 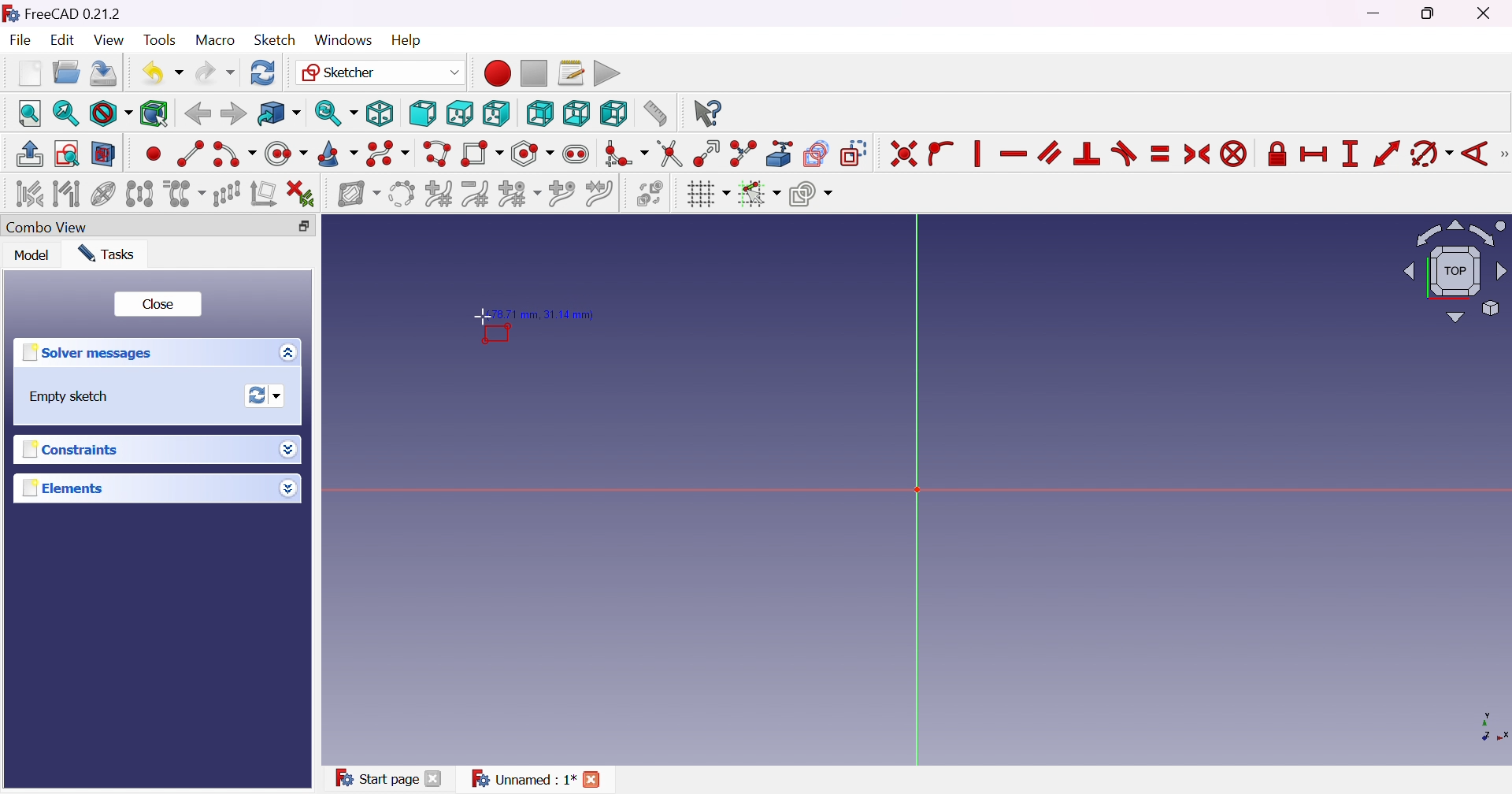 What do you see at coordinates (533, 154) in the screenshot?
I see `Create regular polygon` at bounding box center [533, 154].